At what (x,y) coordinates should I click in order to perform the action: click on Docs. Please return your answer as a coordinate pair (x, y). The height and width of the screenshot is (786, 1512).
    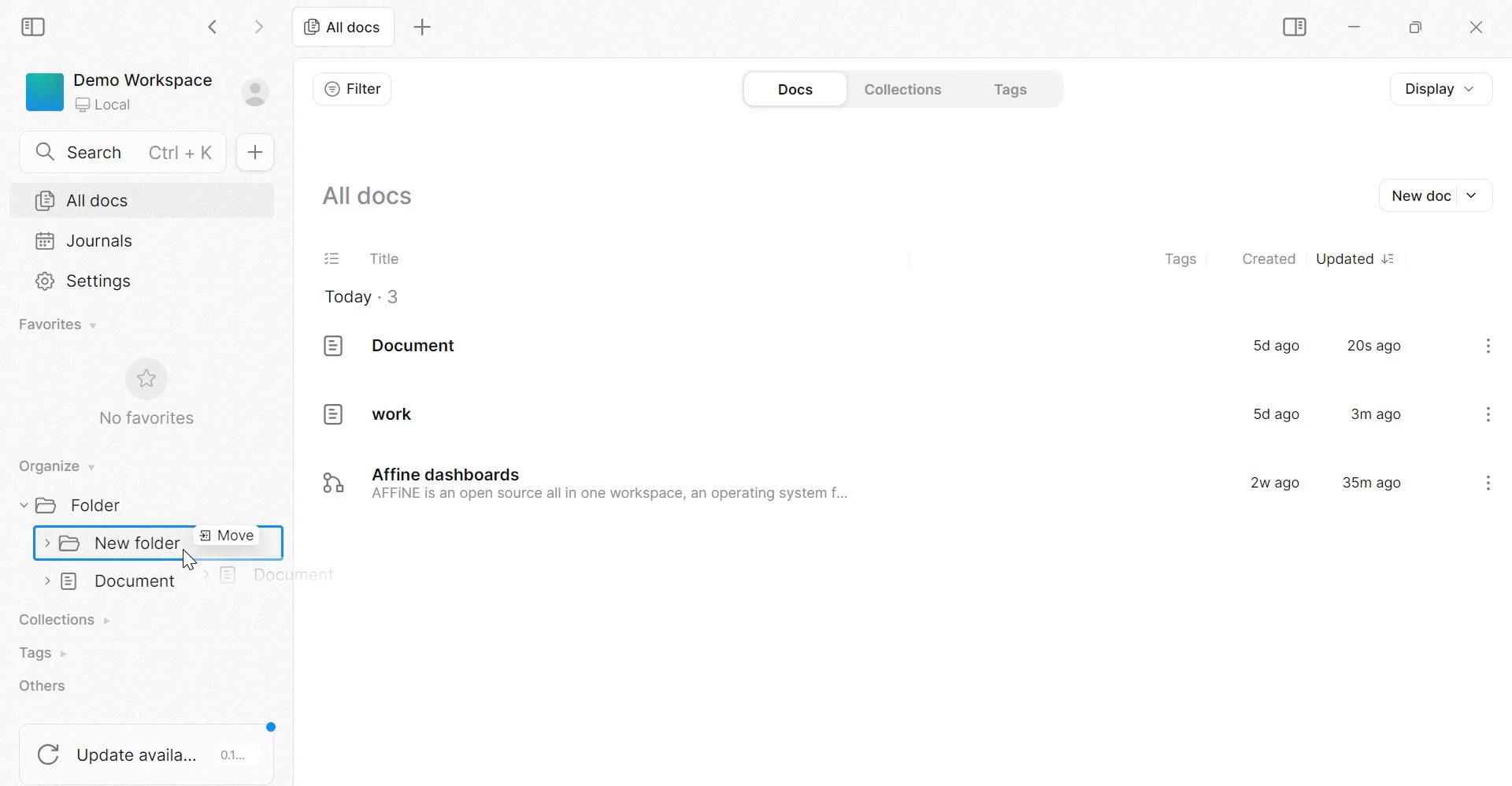
    Looking at the image, I should click on (793, 87).